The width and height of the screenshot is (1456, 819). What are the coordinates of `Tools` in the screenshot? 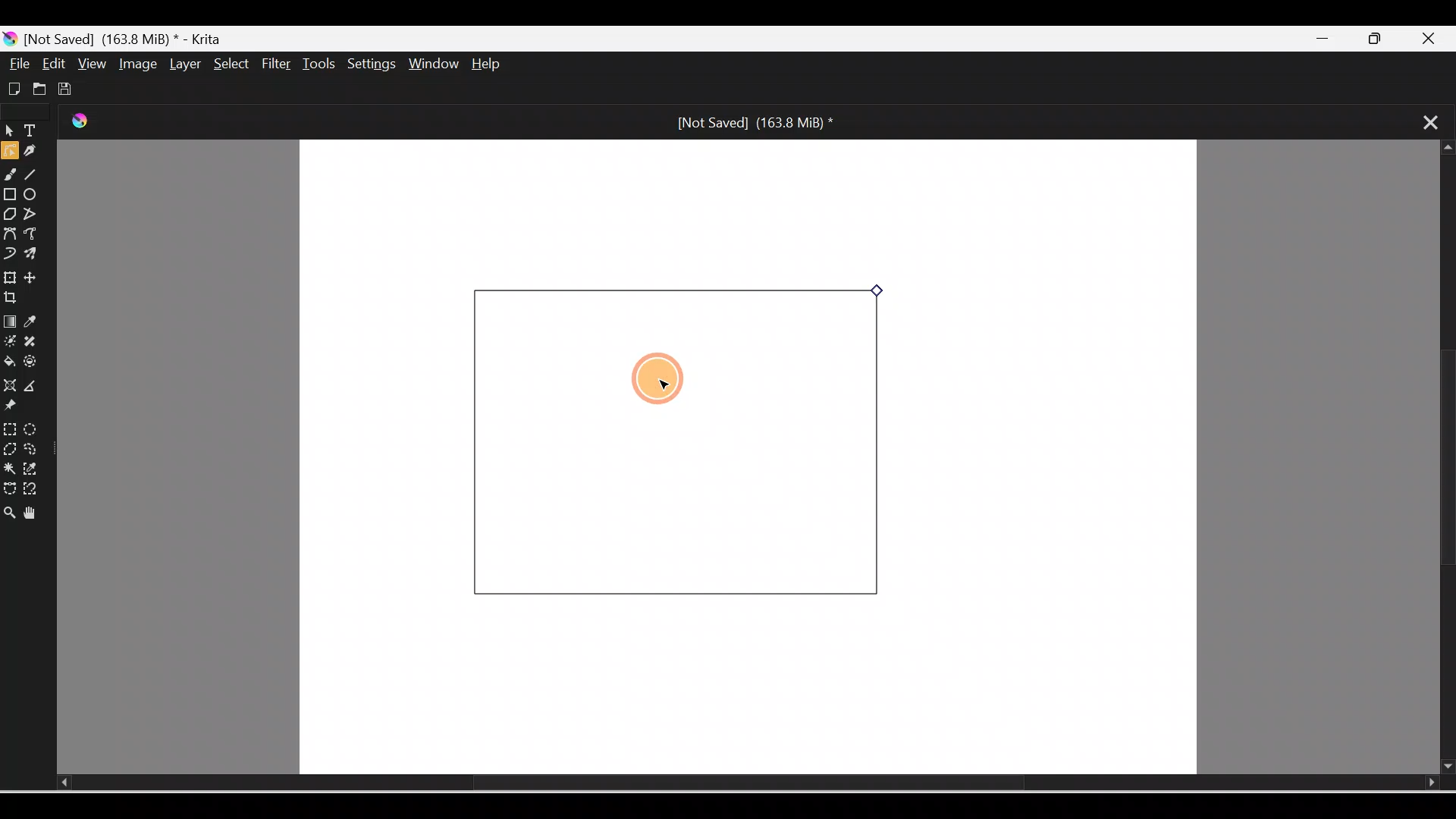 It's located at (322, 64).